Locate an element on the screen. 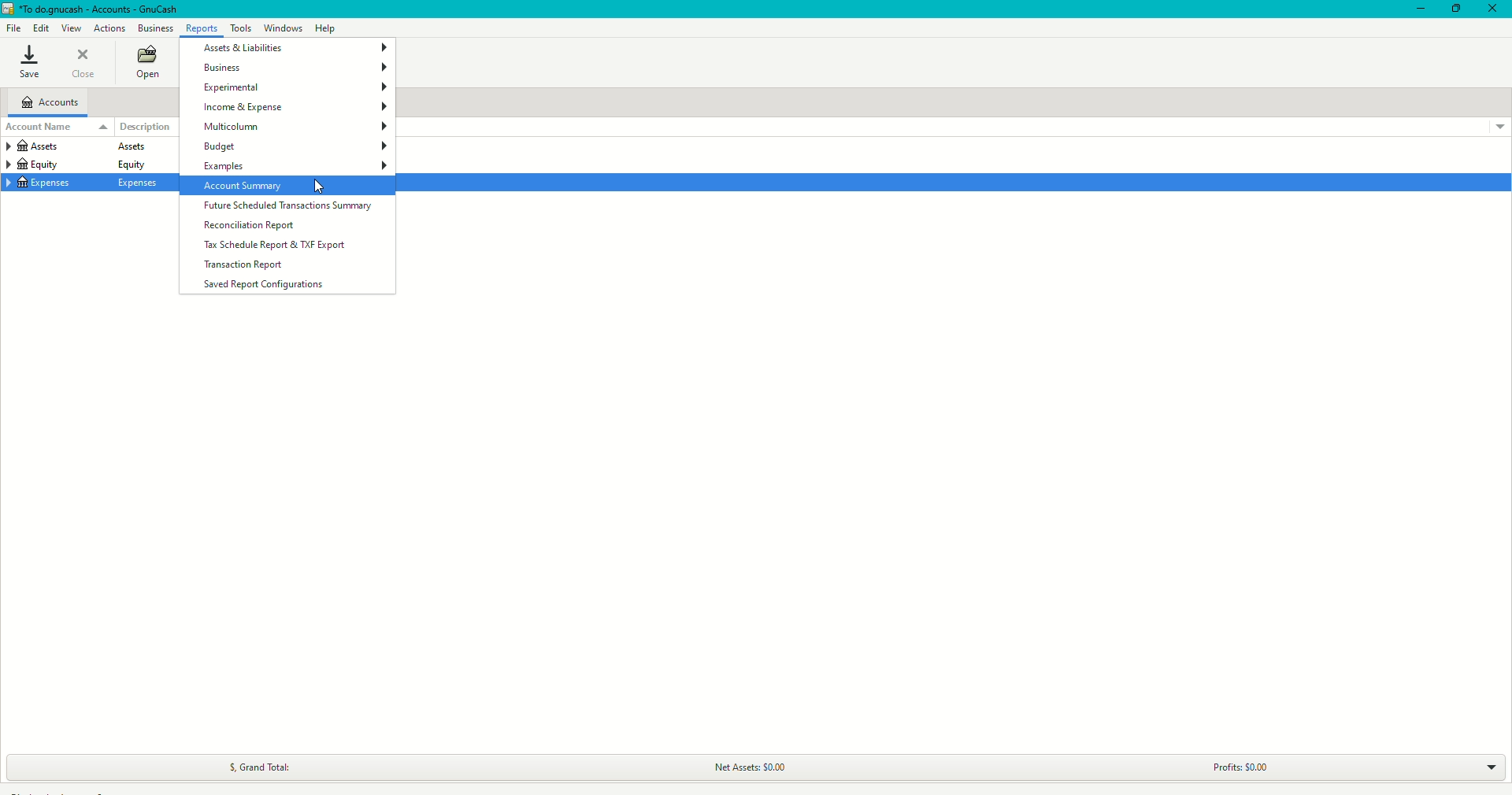  Minimize is located at coordinates (1417, 10).